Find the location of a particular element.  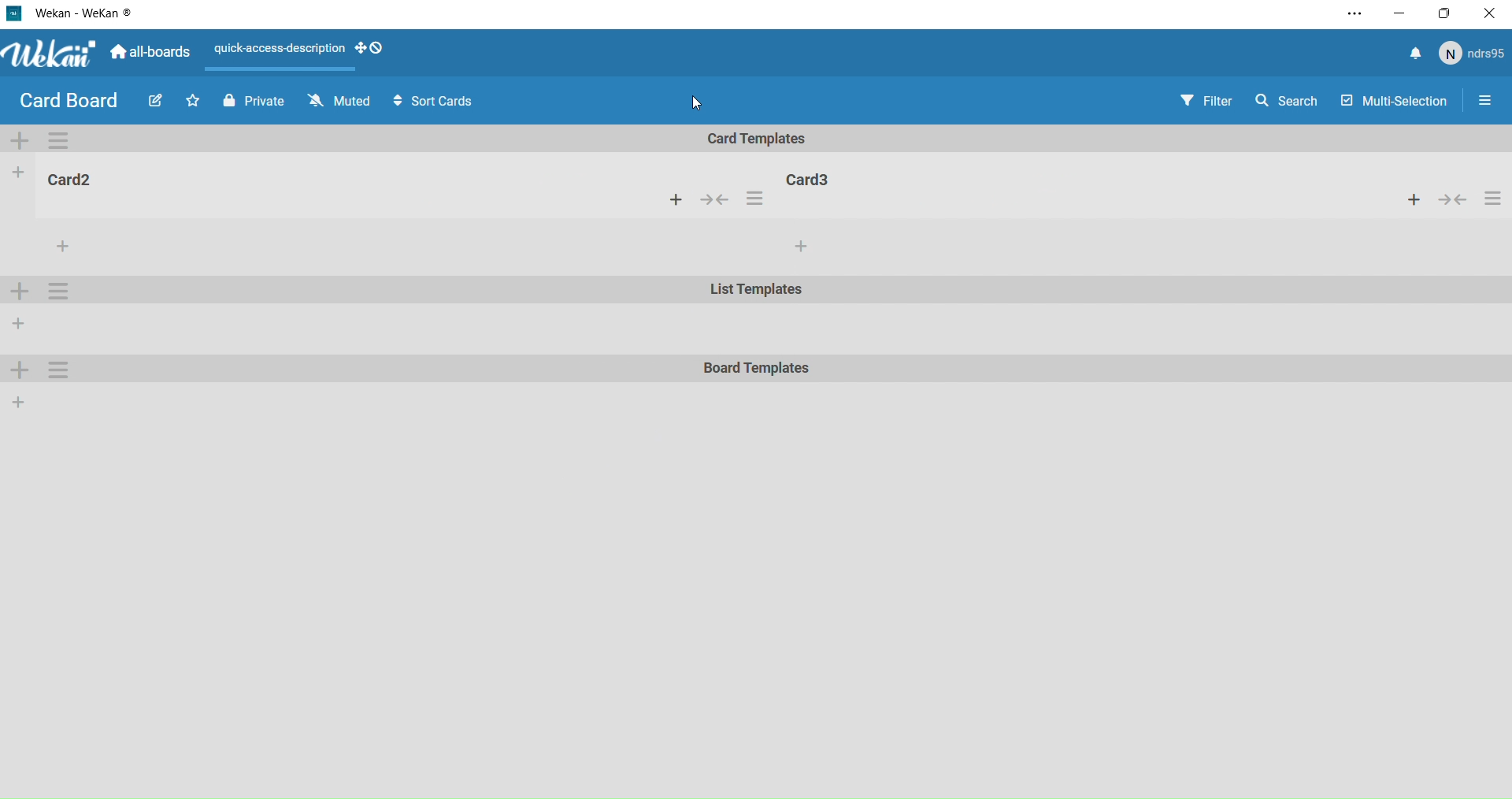

Settings is located at coordinates (1486, 105).